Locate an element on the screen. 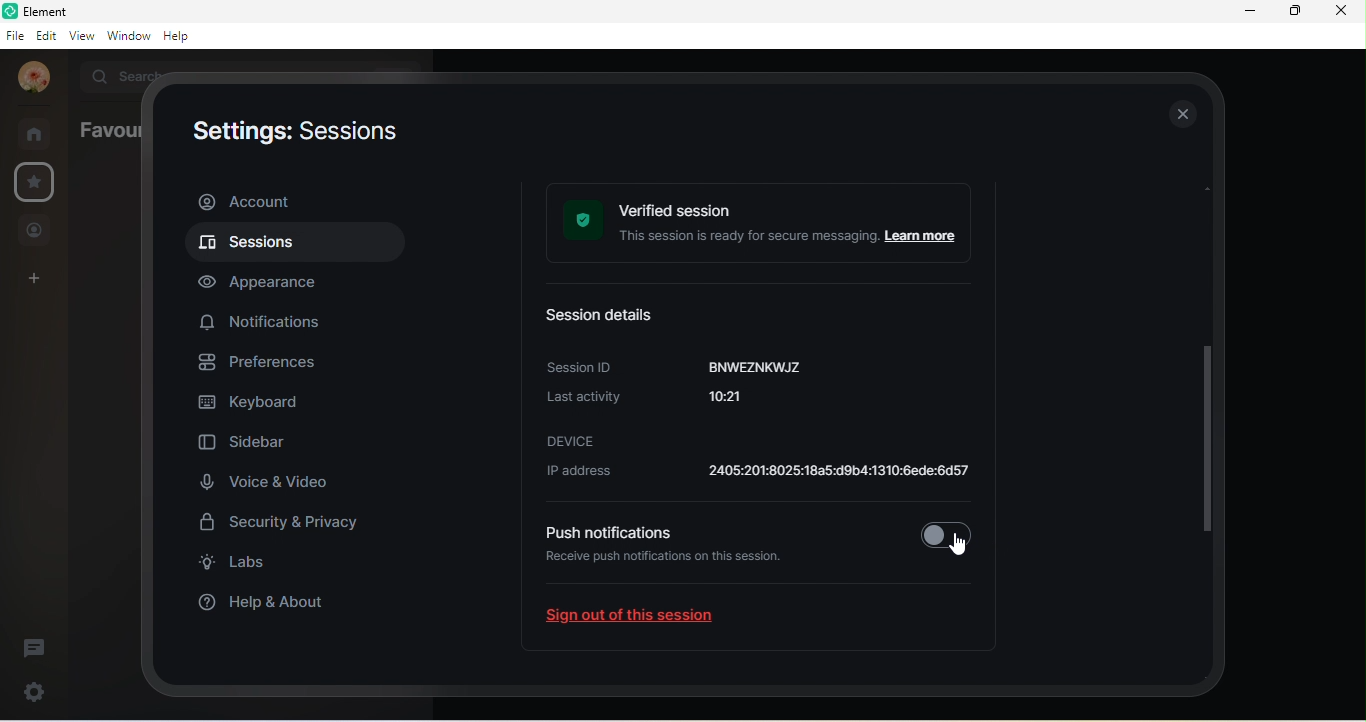 The height and width of the screenshot is (722, 1366). session id: BNWEZNKWJZ is located at coordinates (679, 366).